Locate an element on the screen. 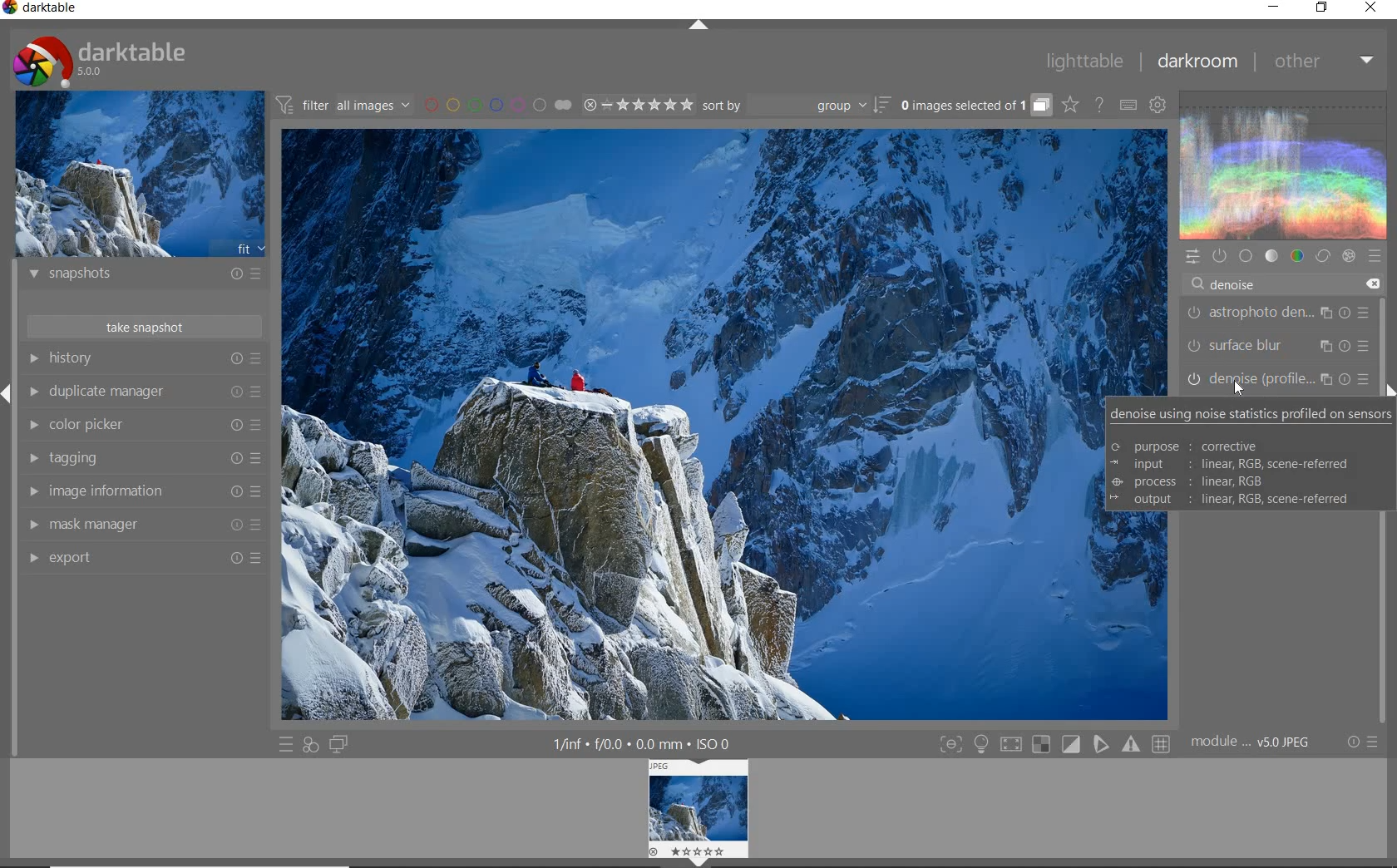  selected image is located at coordinates (683, 427).